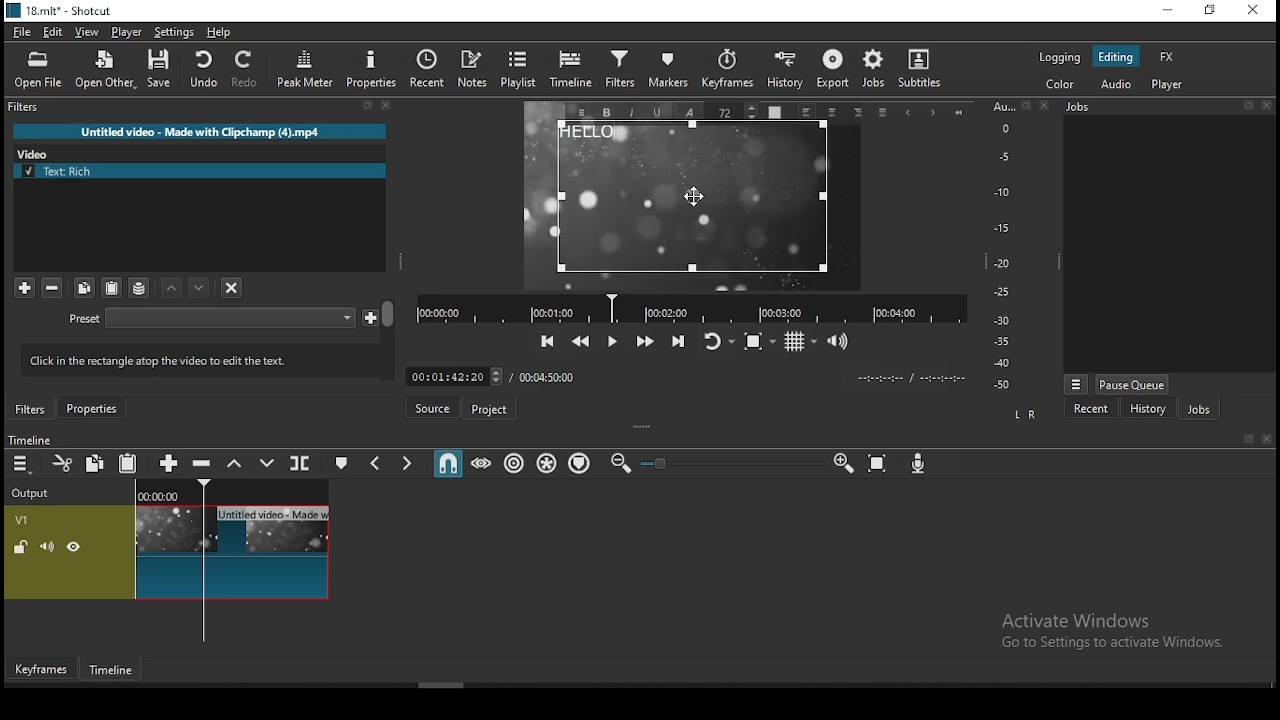 The image size is (1280, 720). What do you see at coordinates (305, 68) in the screenshot?
I see `peak meter` at bounding box center [305, 68].